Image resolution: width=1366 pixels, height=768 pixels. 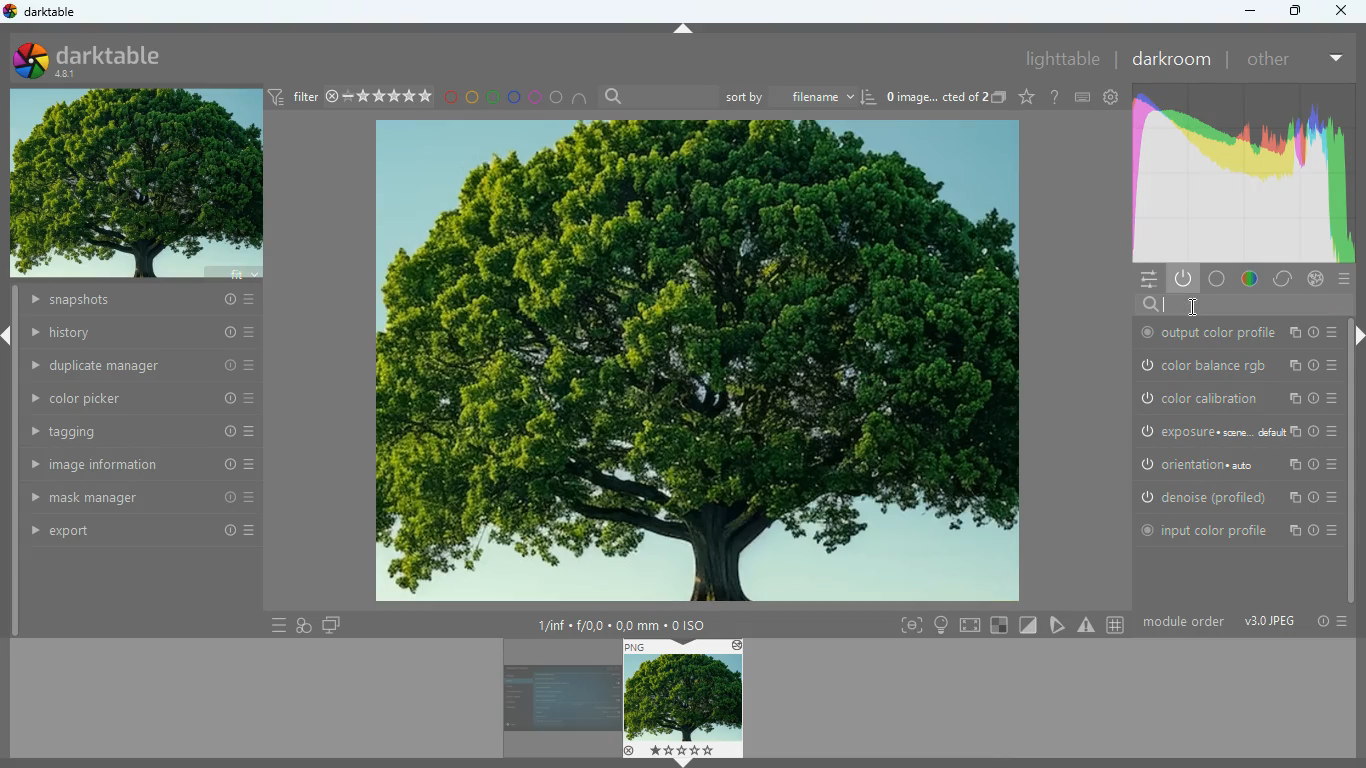 What do you see at coordinates (144, 302) in the screenshot?
I see `snapshots` at bounding box center [144, 302].